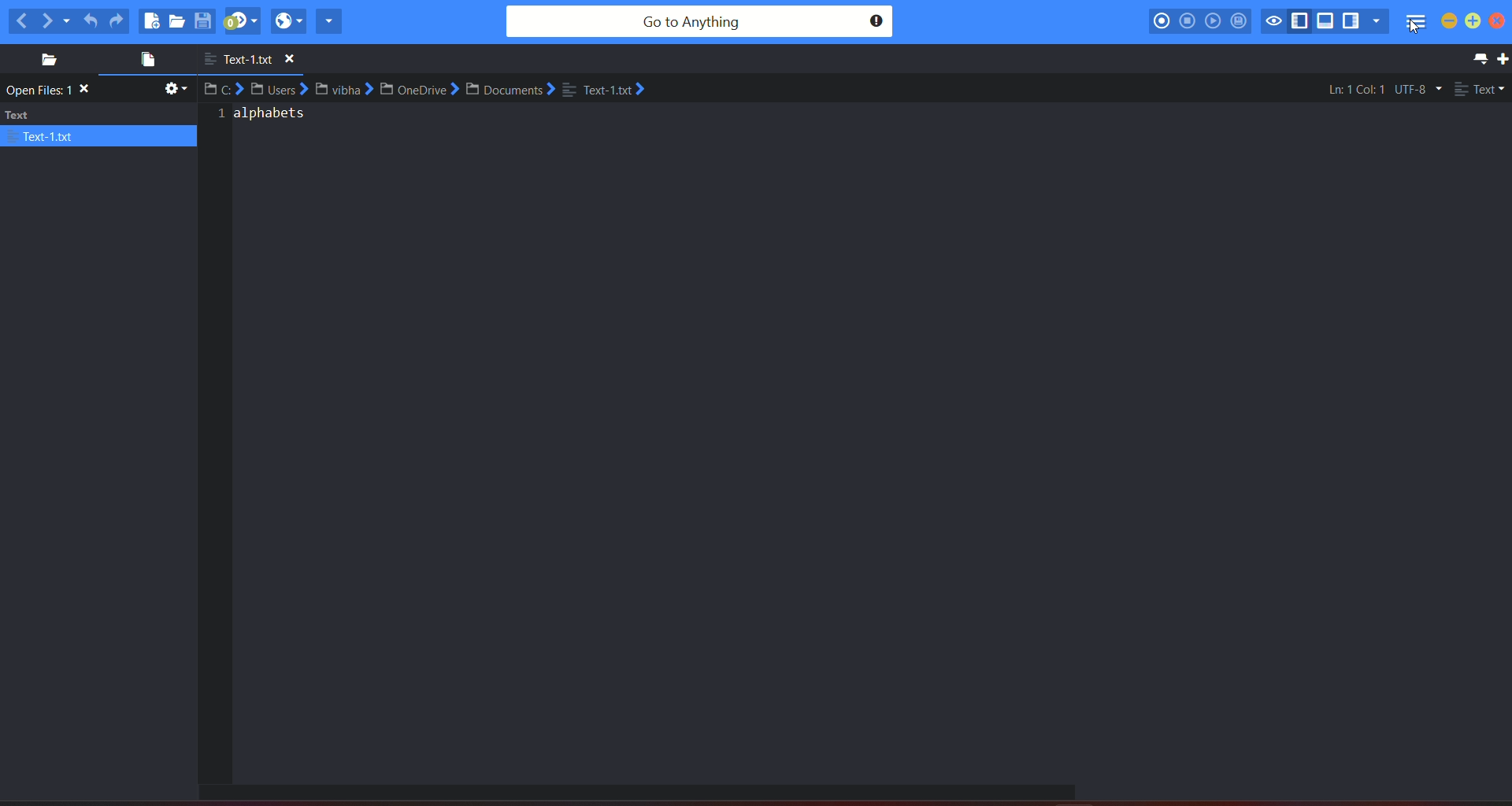  What do you see at coordinates (143, 61) in the screenshot?
I see `open file` at bounding box center [143, 61].